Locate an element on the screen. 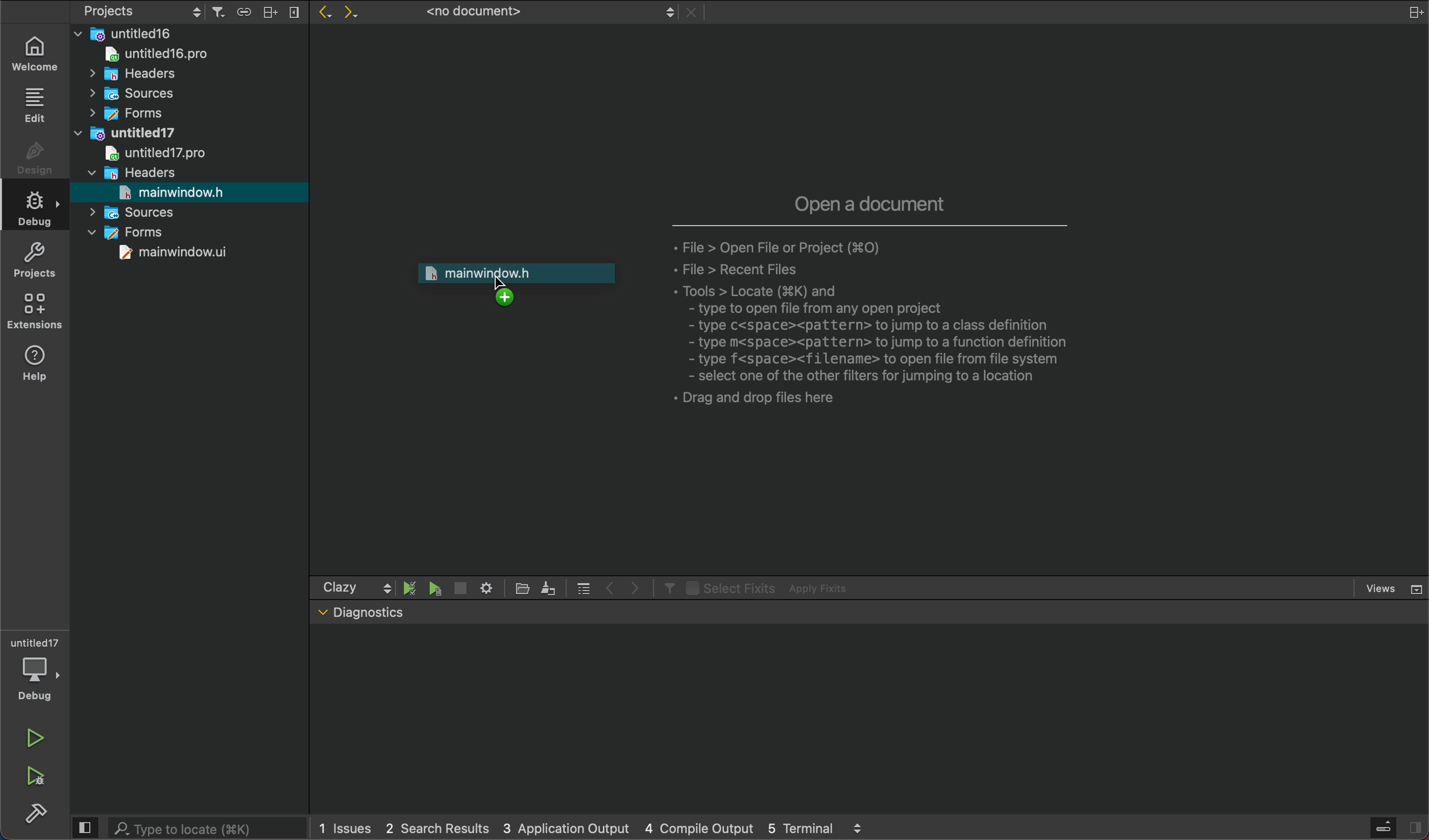 This screenshot has height=840, width=1429. Logs is located at coordinates (859, 828).